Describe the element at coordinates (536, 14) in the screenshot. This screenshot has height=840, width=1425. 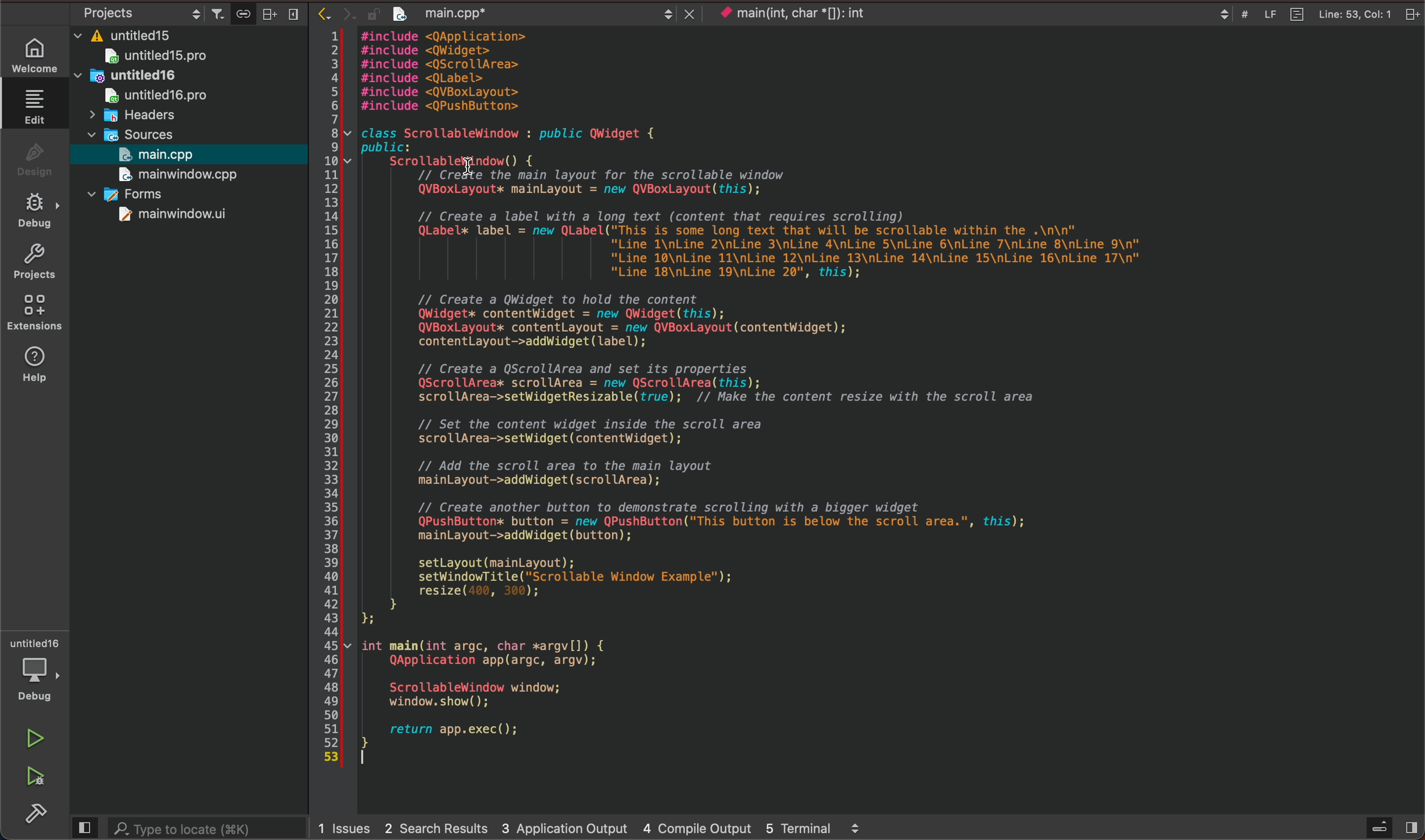
I see `file before save` at that location.